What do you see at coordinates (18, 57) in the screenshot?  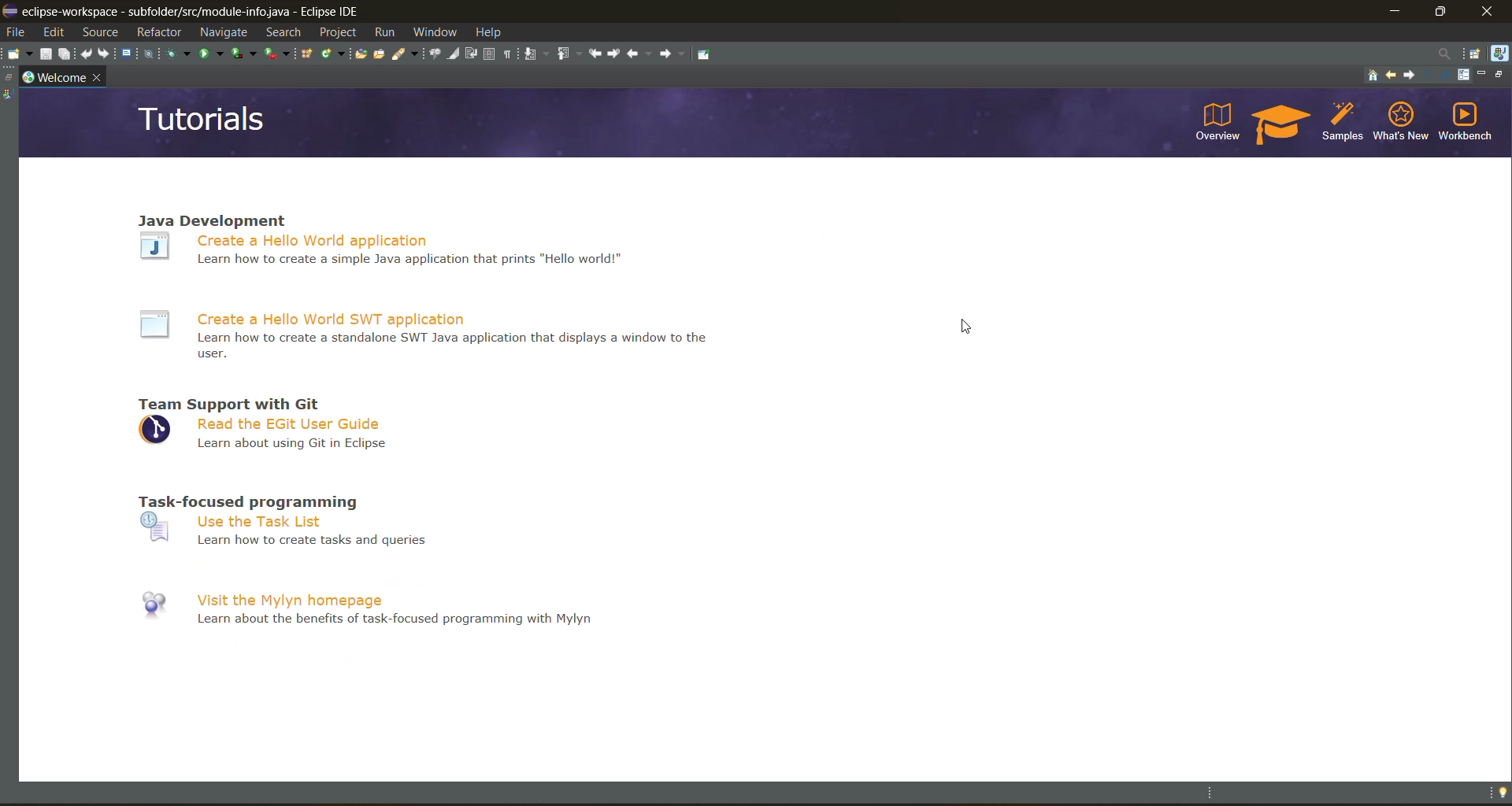 I see `new` at bounding box center [18, 57].